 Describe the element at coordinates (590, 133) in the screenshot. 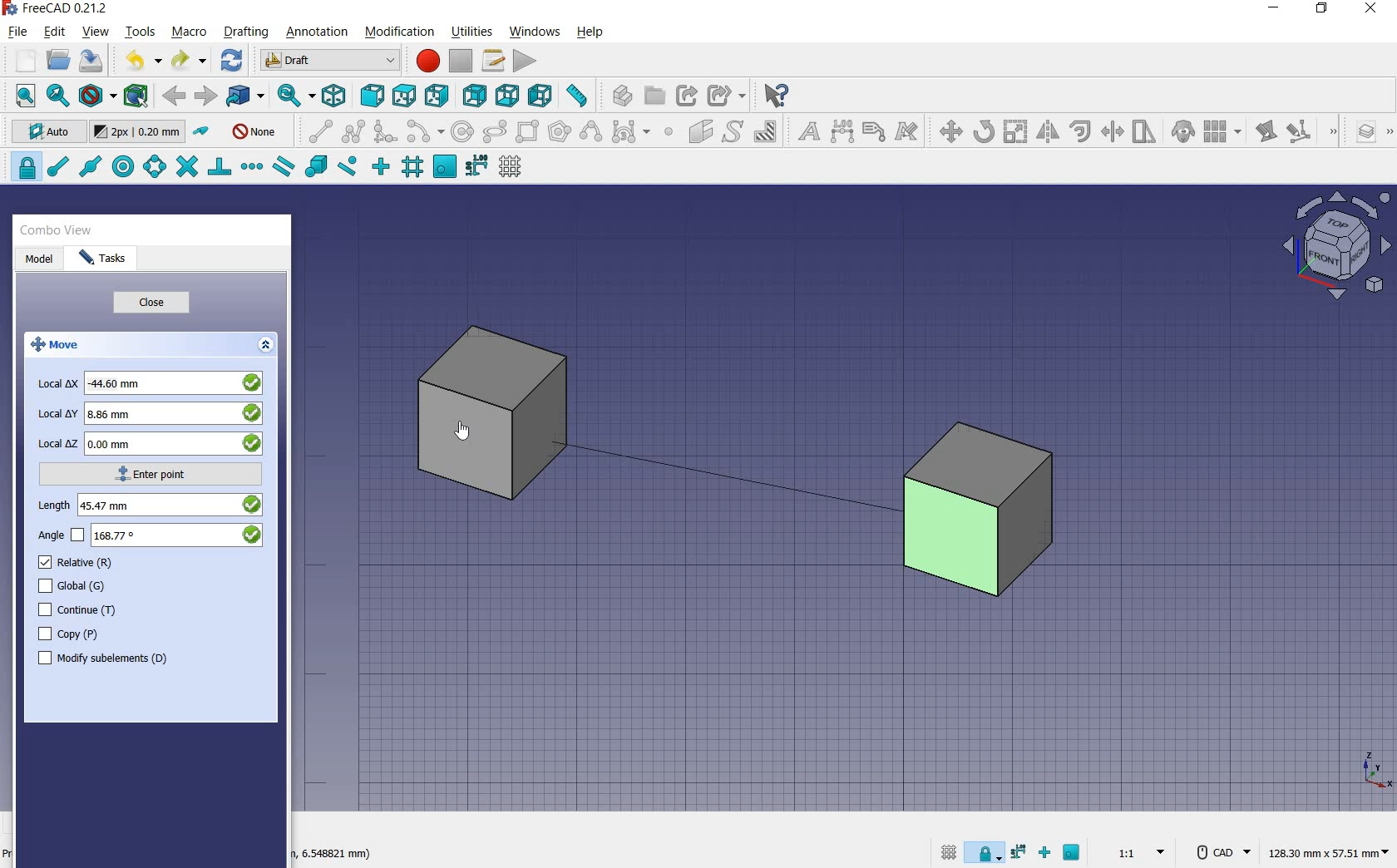

I see `B-Spline` at that location.